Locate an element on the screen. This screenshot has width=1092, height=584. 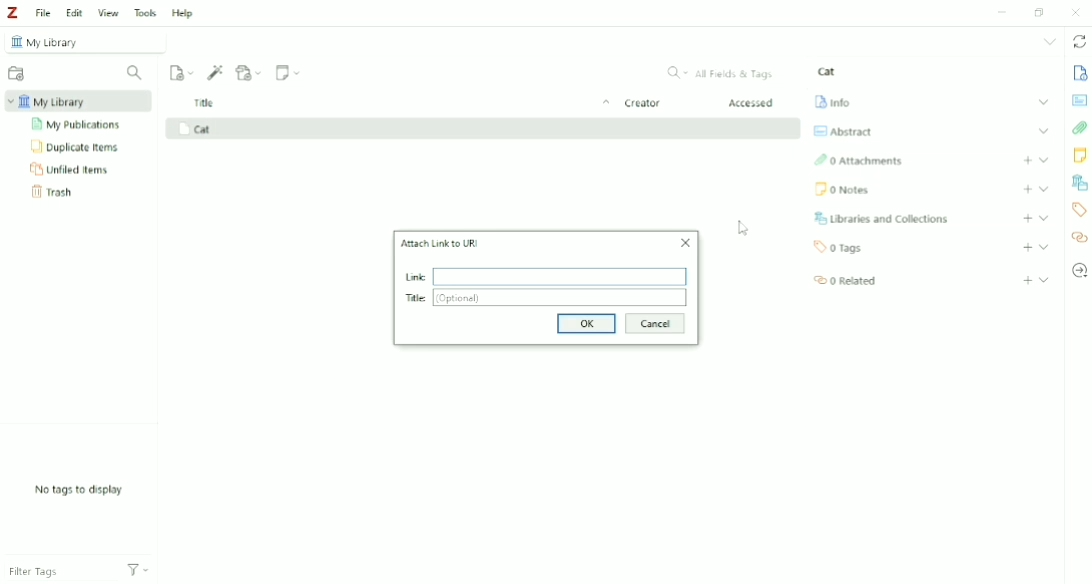
Cat is located at coordinates (195, 129).